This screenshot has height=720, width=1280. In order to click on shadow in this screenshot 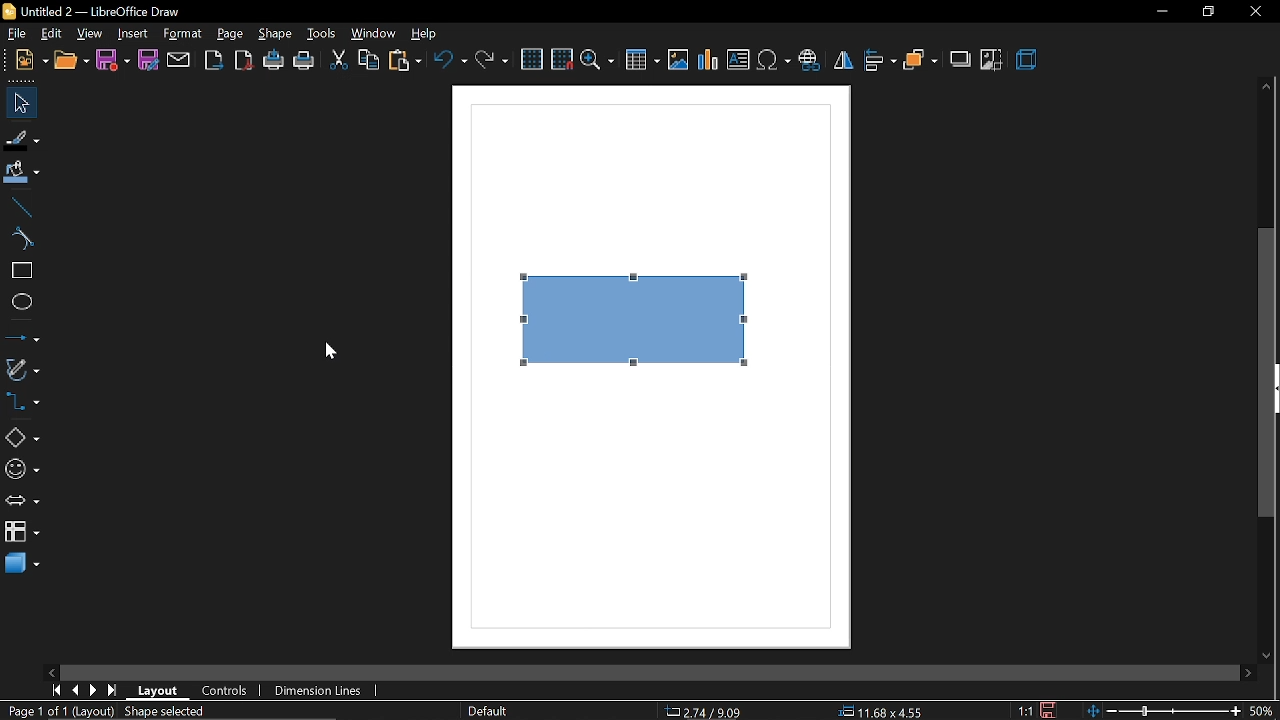, I will do `click(960, 61)`.